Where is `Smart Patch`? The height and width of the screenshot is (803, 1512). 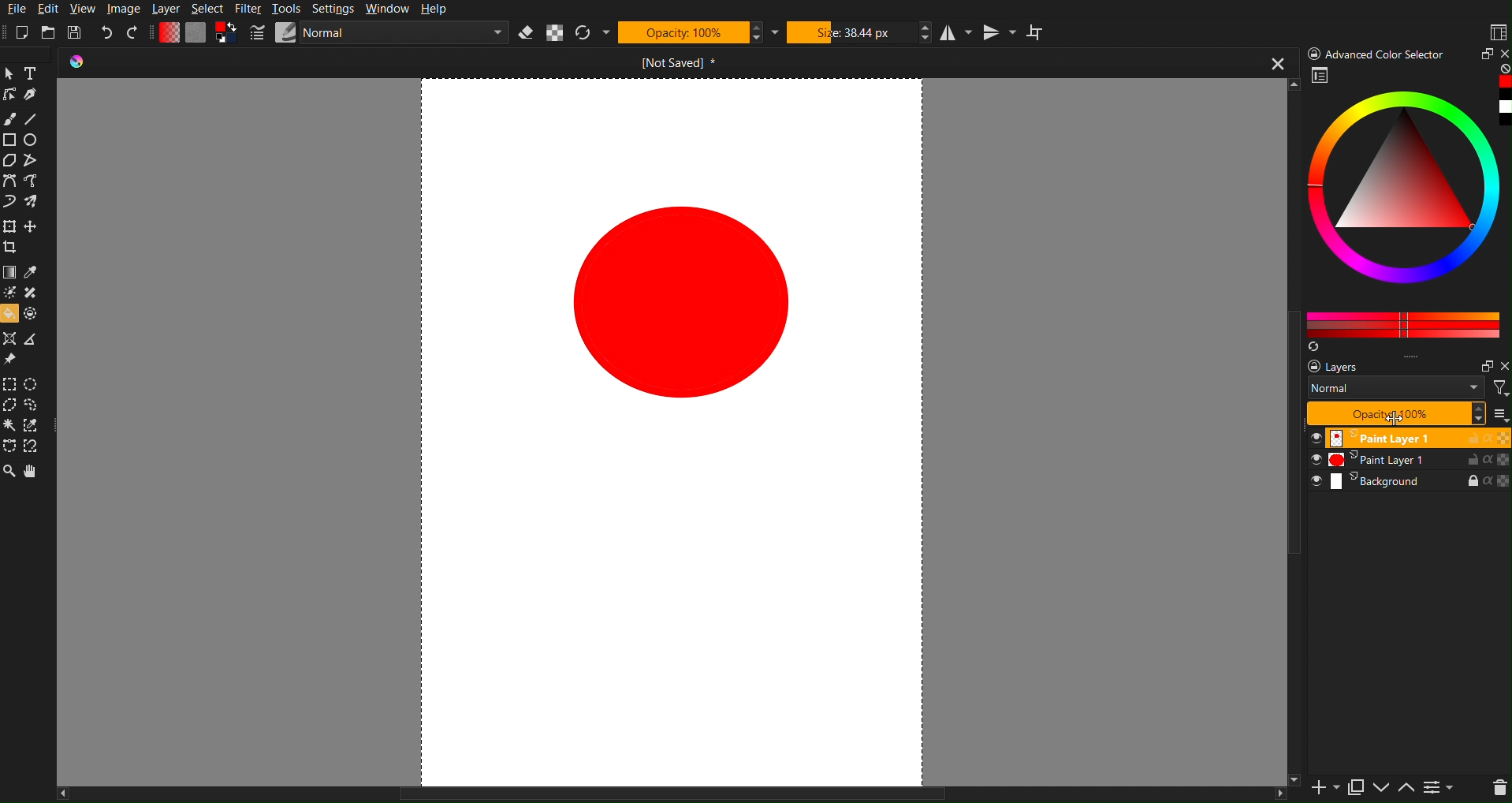
Smart Patch is located at coordinates (32, 293).